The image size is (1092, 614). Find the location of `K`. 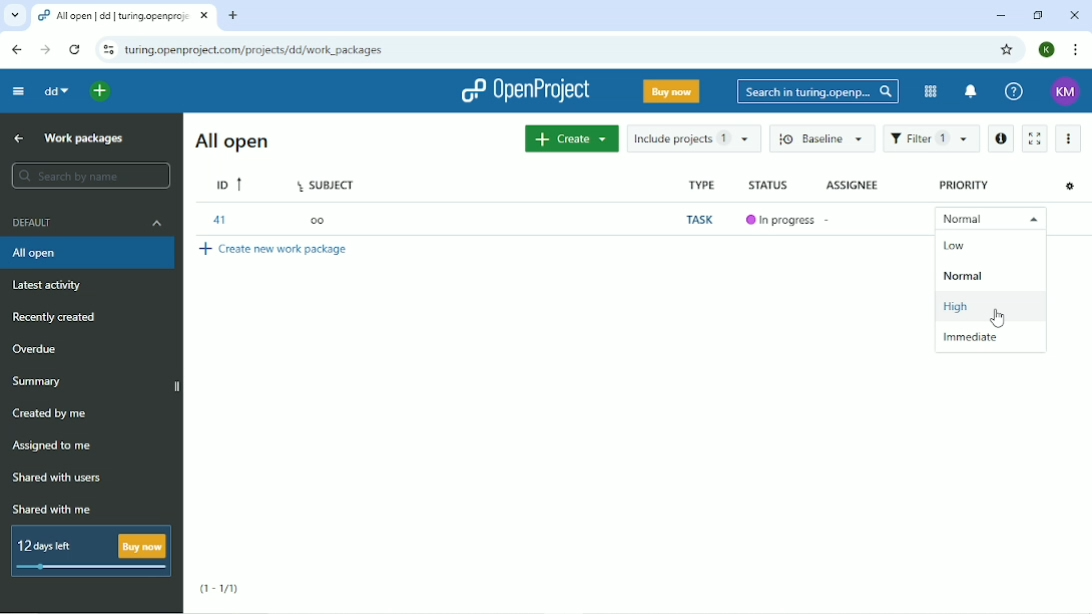

K is located at coordinates (1046, 50).